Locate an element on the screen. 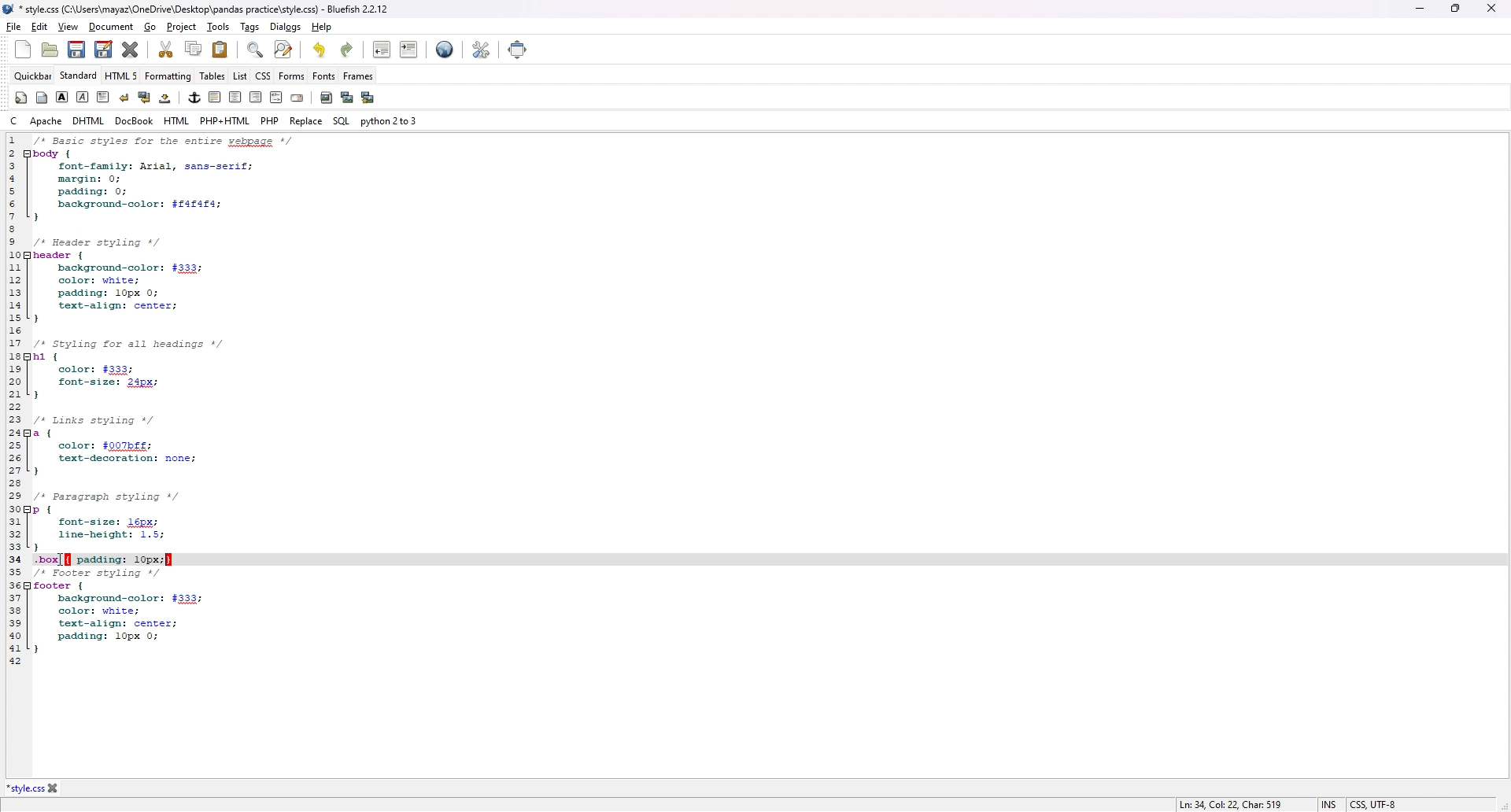 This screenshot has width=1511, height=812. INS is located at coordinates (1327, 803).